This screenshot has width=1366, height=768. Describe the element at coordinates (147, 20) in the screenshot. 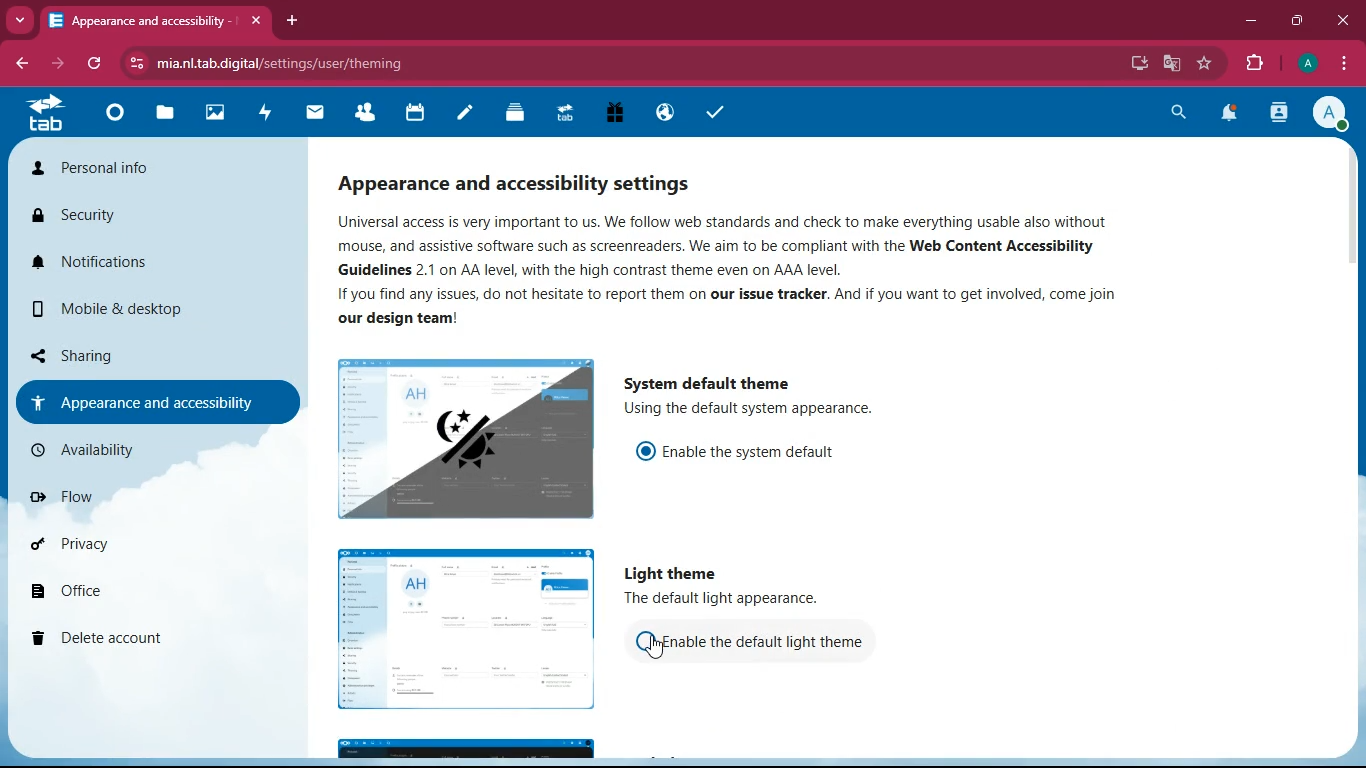

I see `tab` at that location.